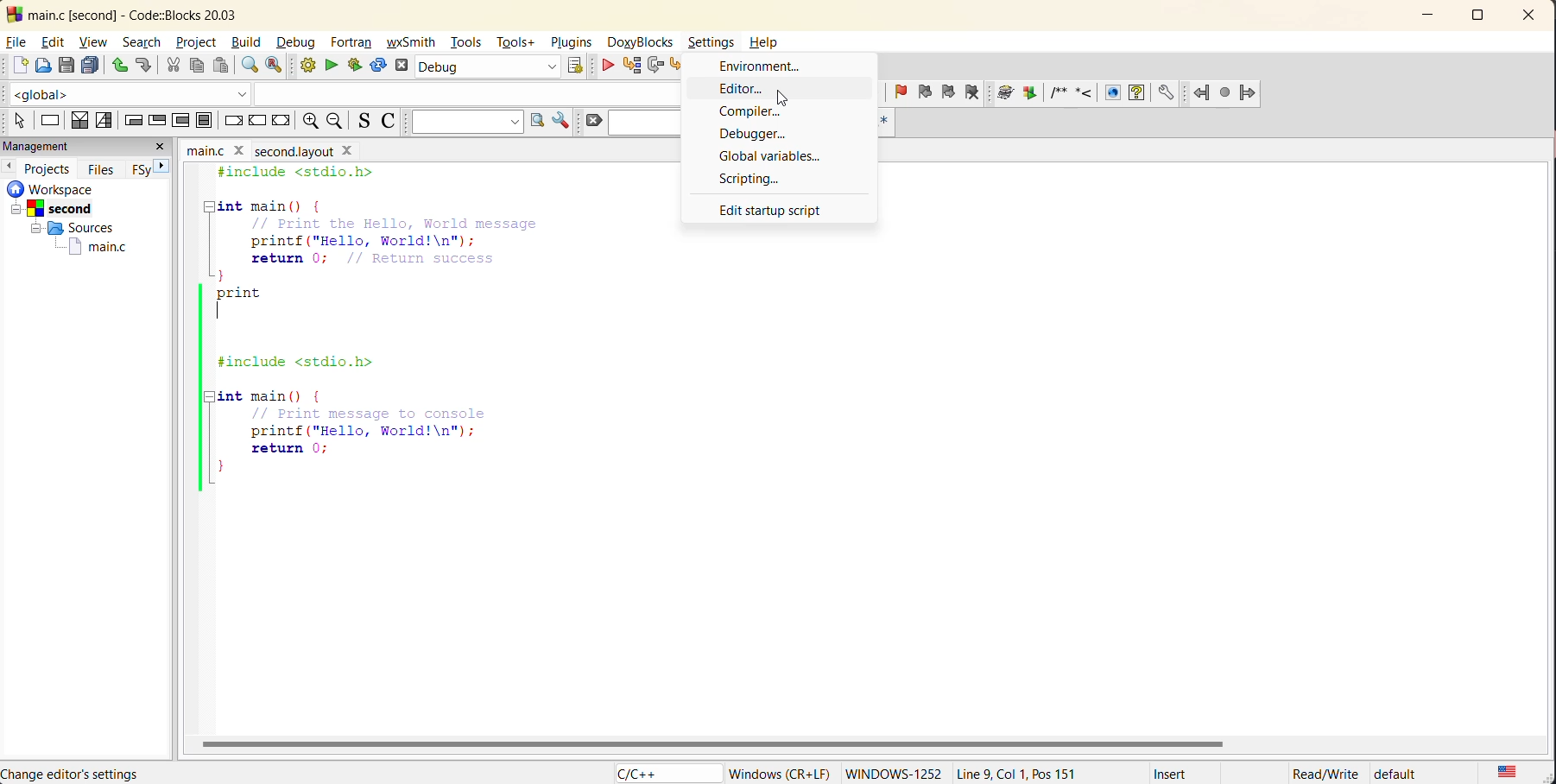  Describe the element at coordinates (349, 151) in the screenshot. I see `close` at that location.